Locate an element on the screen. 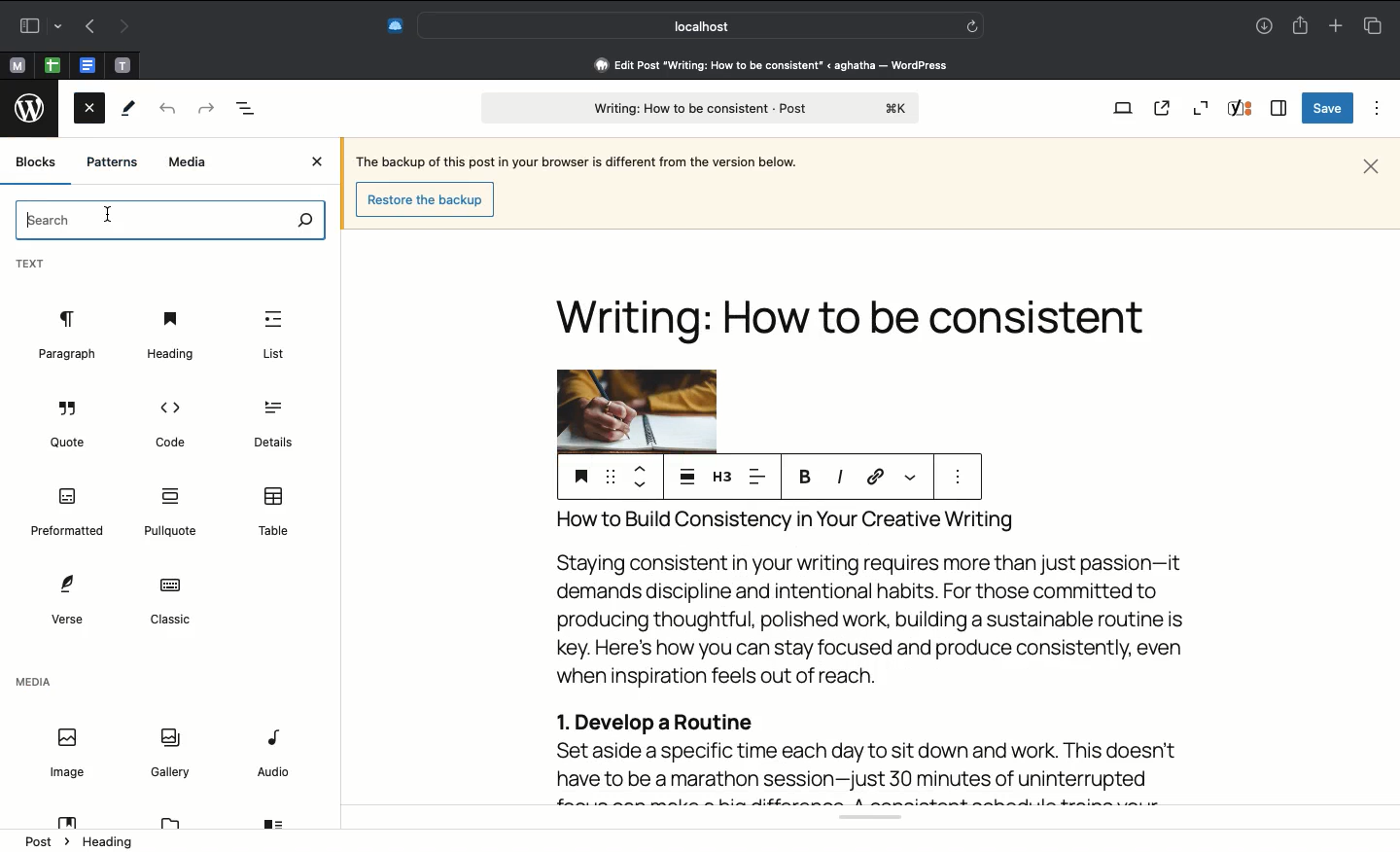  Heading is located at coordinates (110, 842).